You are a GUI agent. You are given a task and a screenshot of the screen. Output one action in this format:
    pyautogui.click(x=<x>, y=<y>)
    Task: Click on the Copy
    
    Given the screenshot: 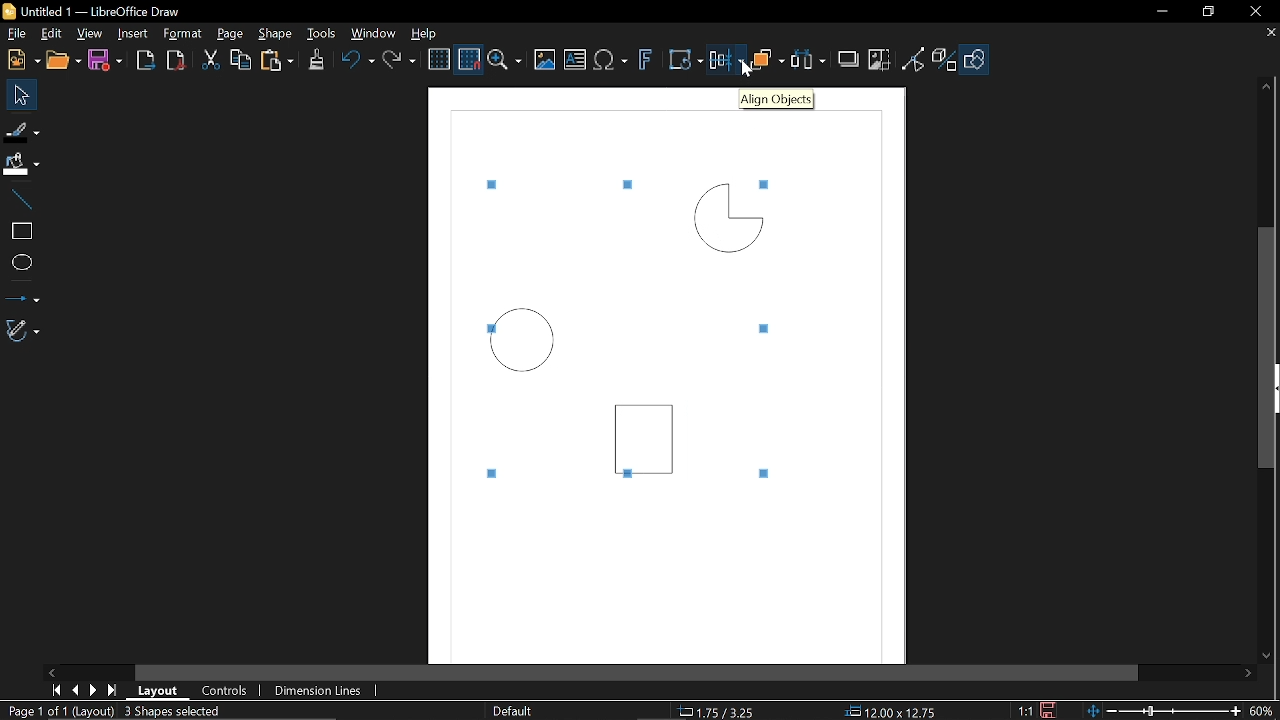 What is the action you would take?
    pyautogui.click(x=243, y=60)
    